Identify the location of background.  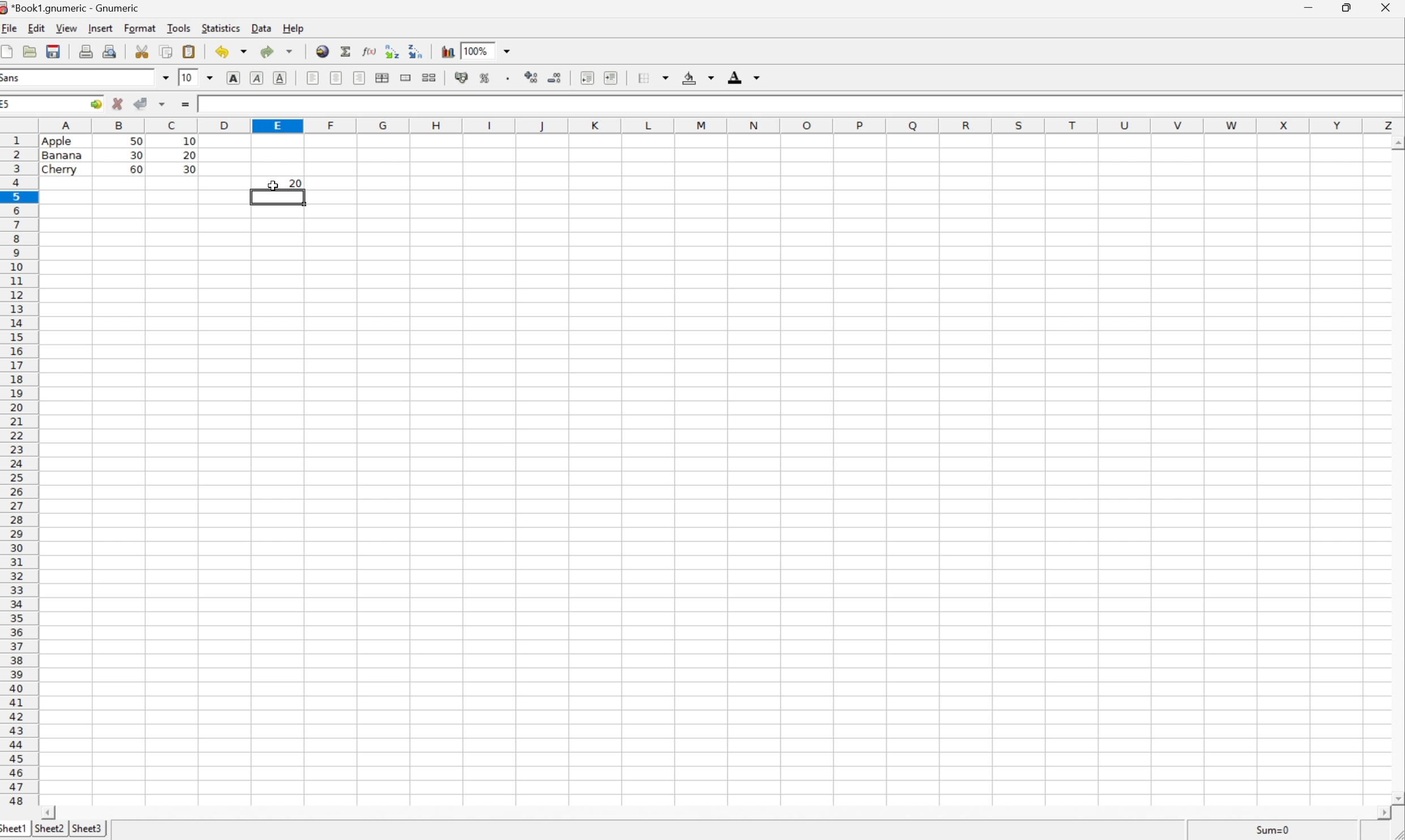
(700, 78).